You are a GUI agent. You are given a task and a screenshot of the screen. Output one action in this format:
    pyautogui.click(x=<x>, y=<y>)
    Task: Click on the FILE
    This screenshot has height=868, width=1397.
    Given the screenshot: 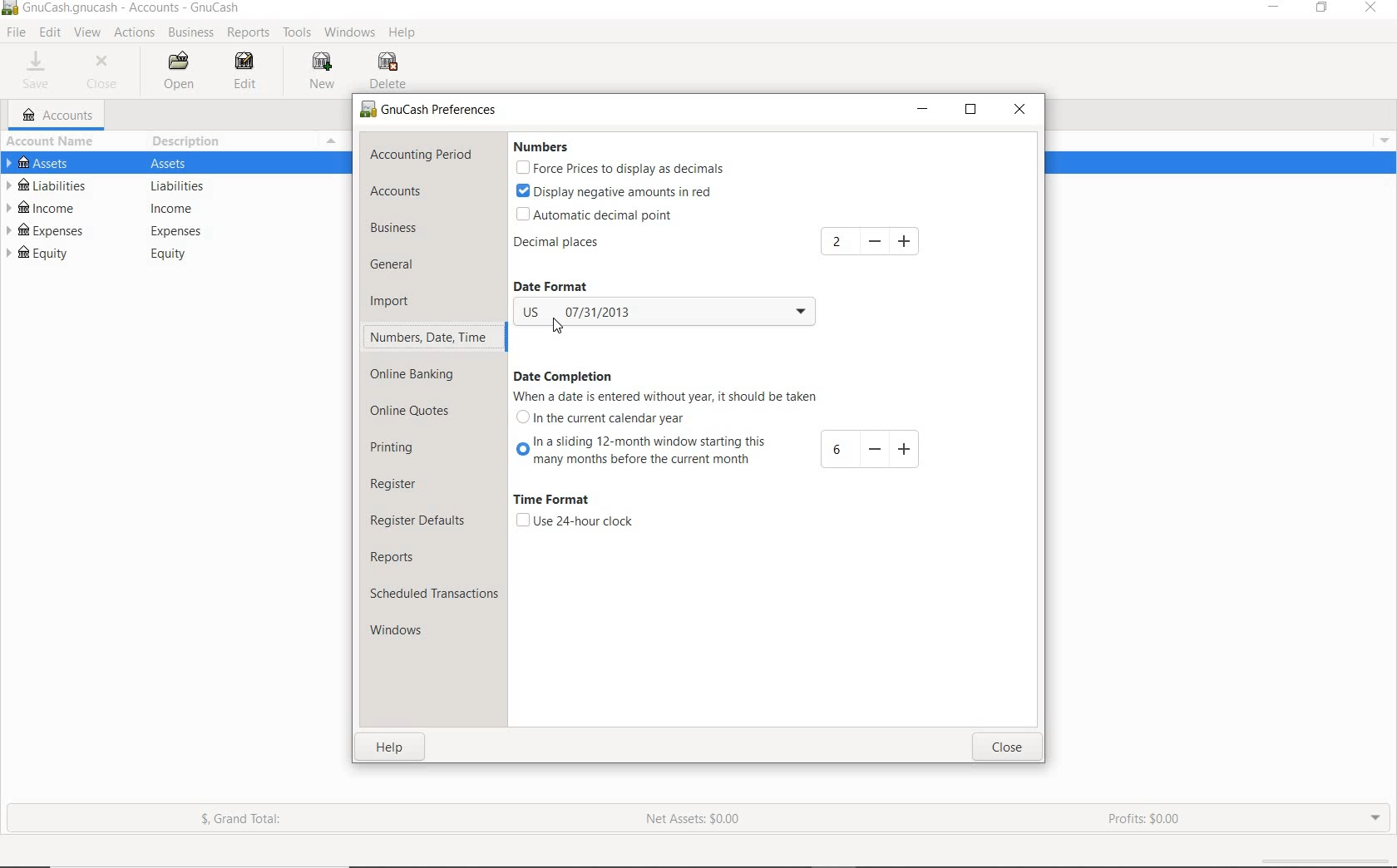 What is the action you would take?
    pyautogui.click(x=17, y=32)
    